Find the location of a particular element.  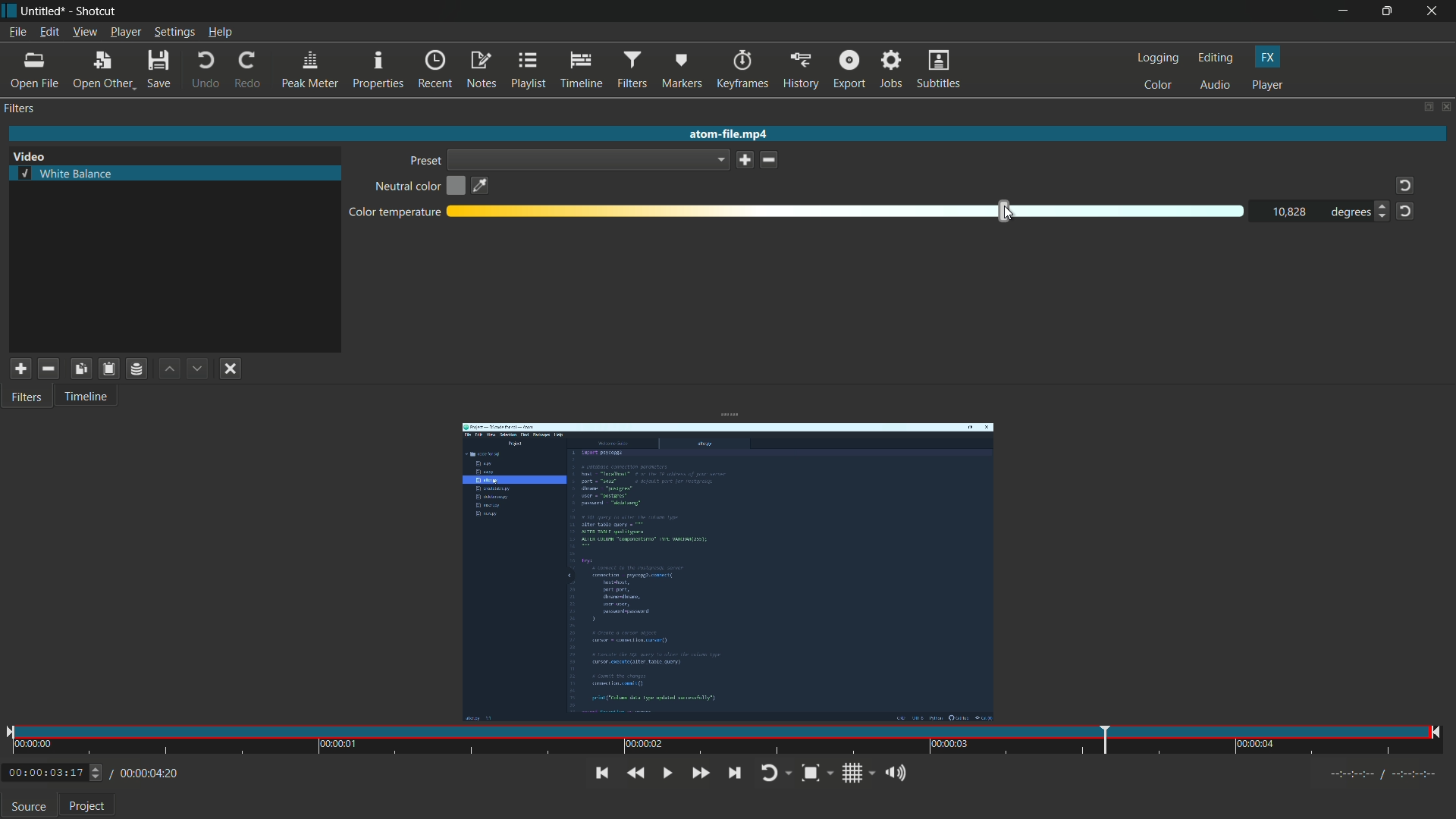

neutral color is located at coordinates (406, 187).